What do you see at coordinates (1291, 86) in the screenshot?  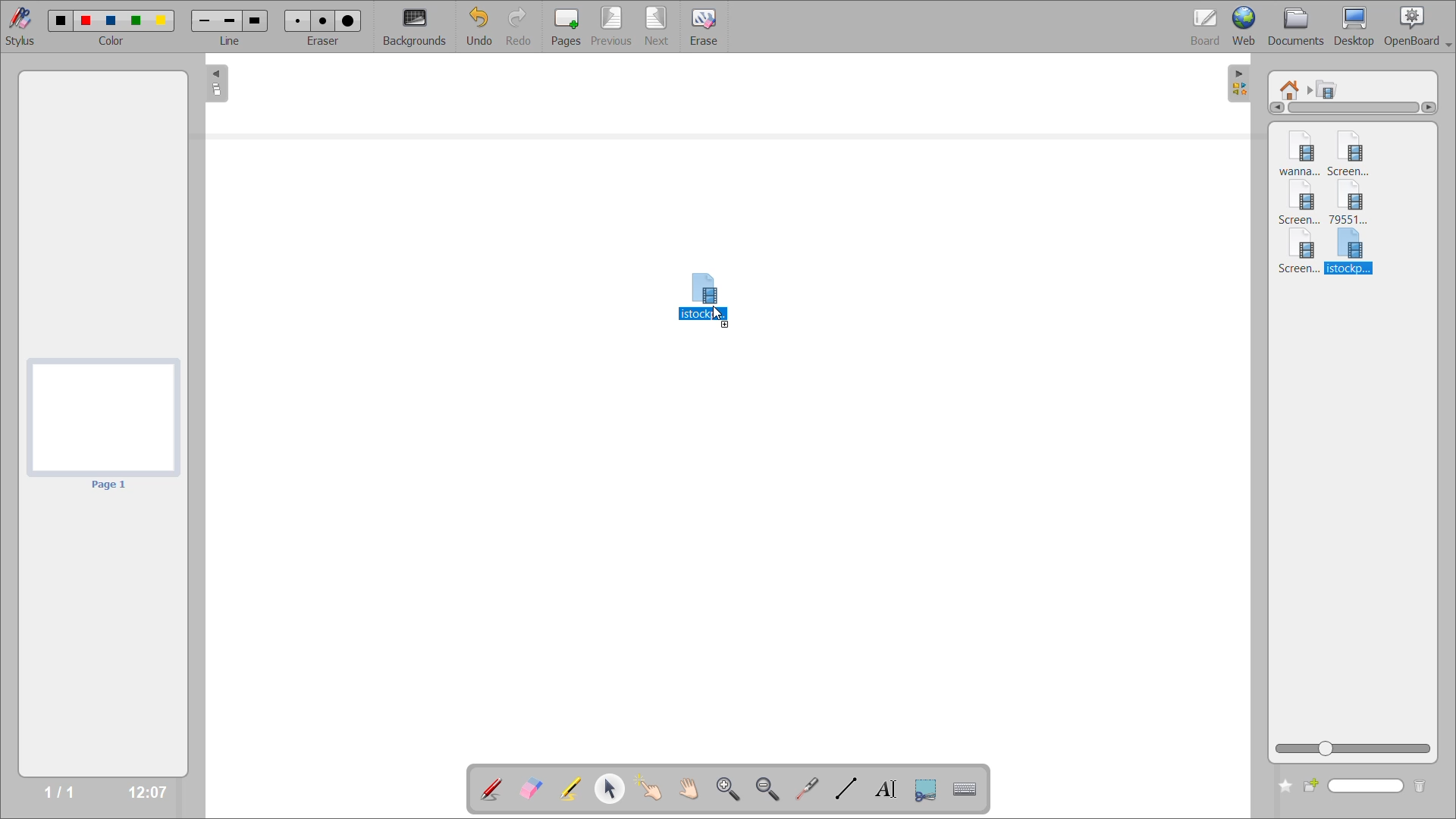 I see `root` at bounding box center [1291, 86].